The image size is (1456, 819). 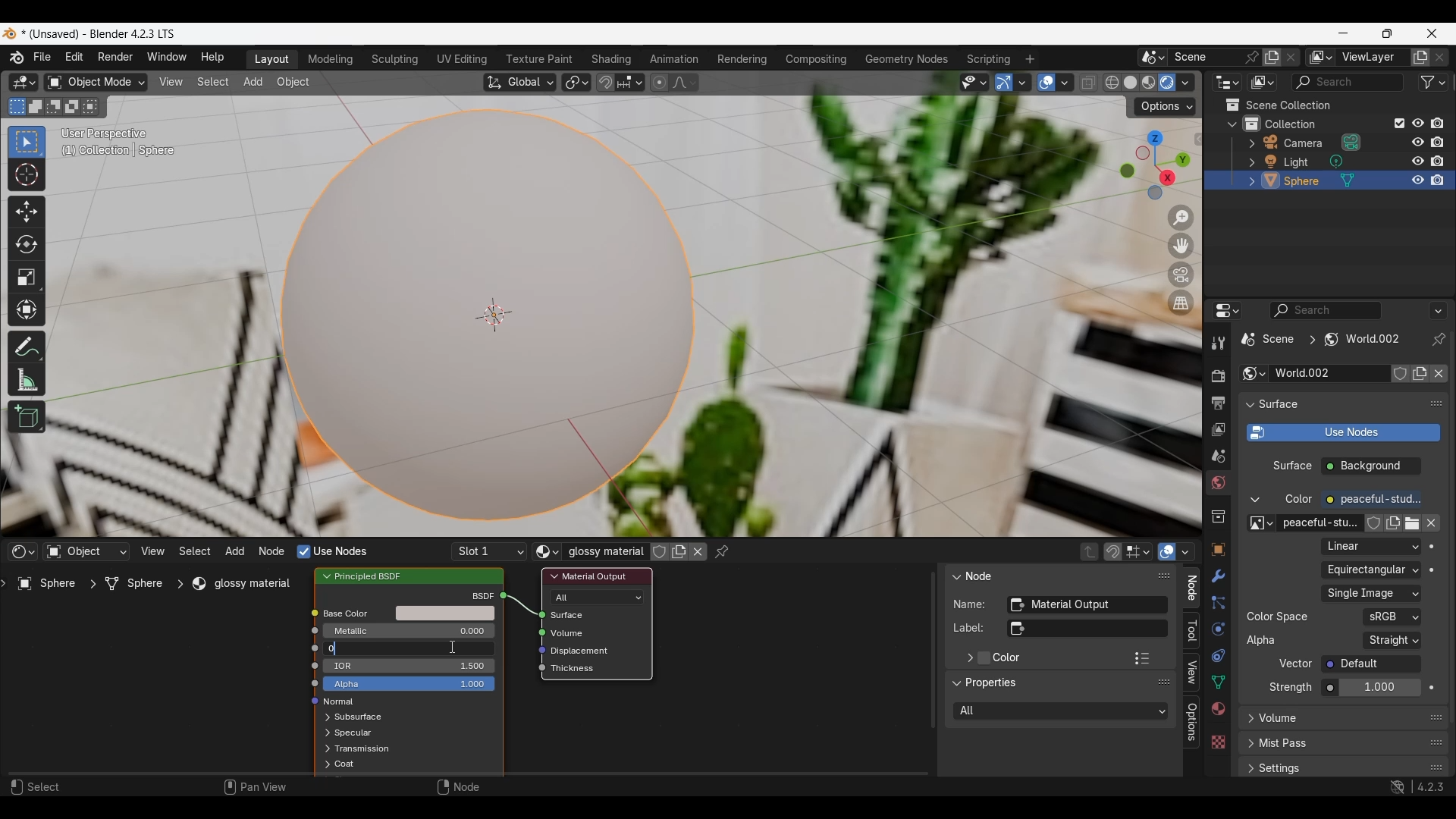 I want to click on Select, so click(x=37, y=786).